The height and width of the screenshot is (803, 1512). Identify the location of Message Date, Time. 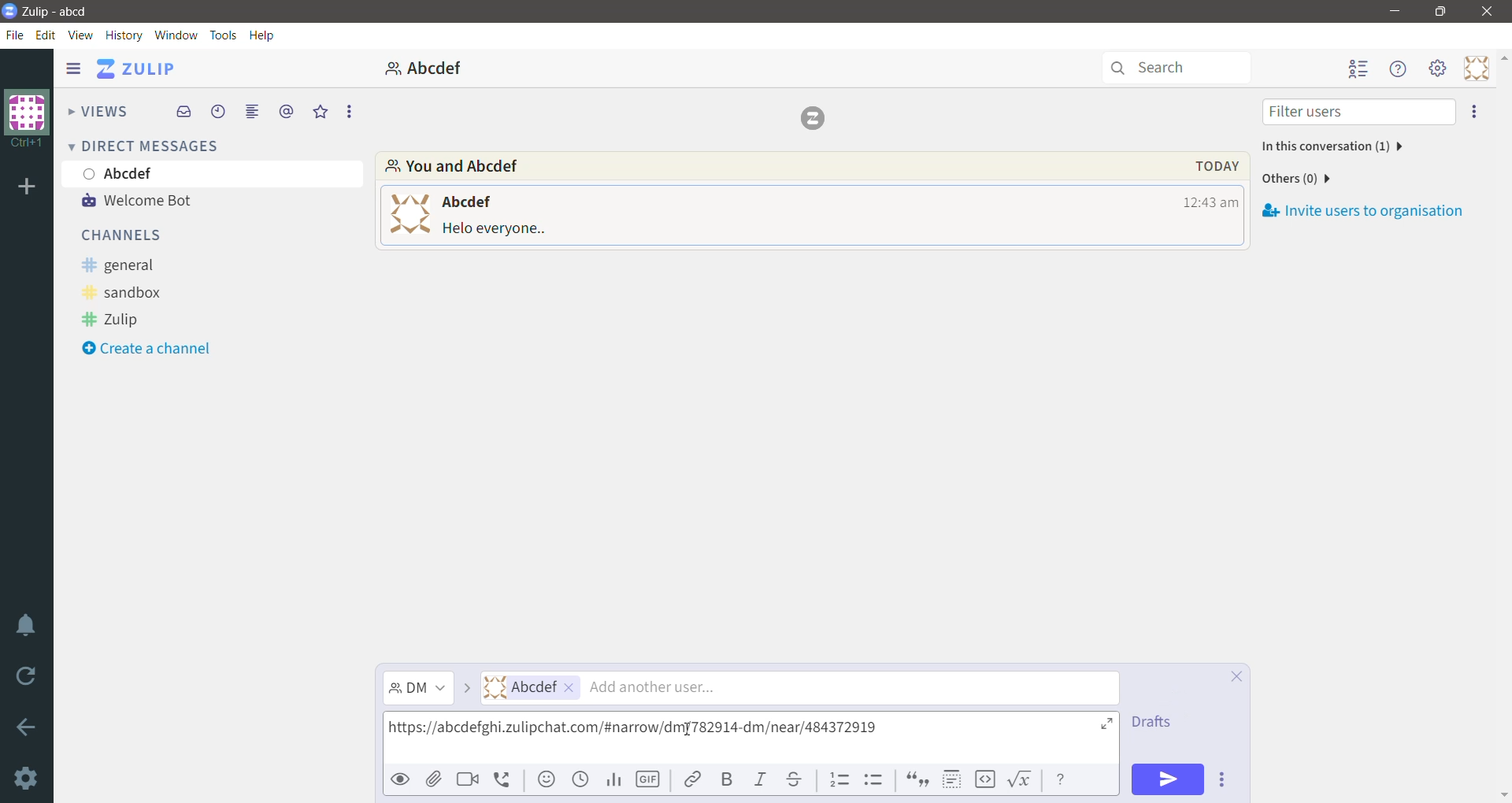
(1209, 166).